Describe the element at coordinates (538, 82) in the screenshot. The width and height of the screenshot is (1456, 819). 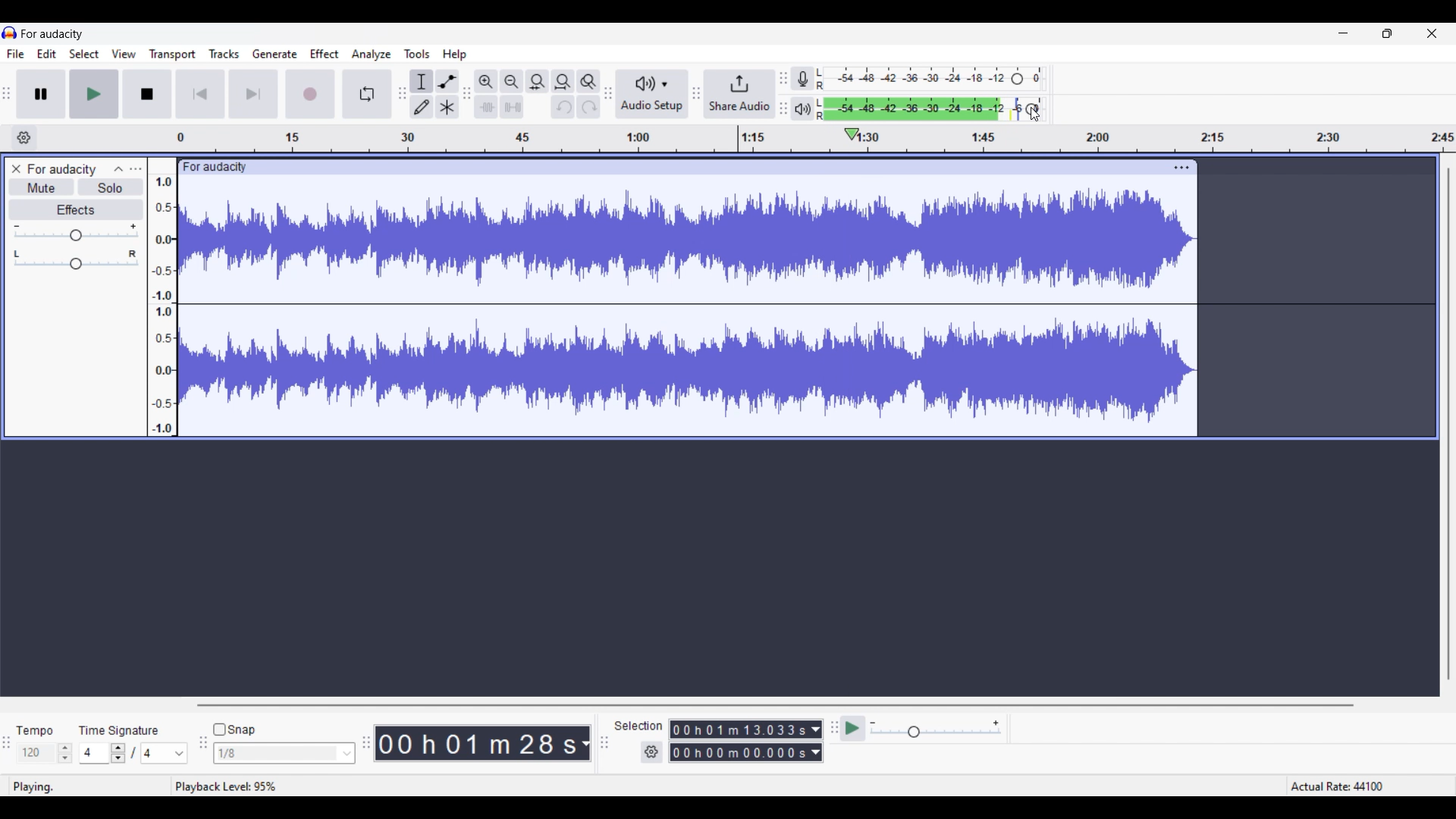
I see `Fit selection to width` at that location.